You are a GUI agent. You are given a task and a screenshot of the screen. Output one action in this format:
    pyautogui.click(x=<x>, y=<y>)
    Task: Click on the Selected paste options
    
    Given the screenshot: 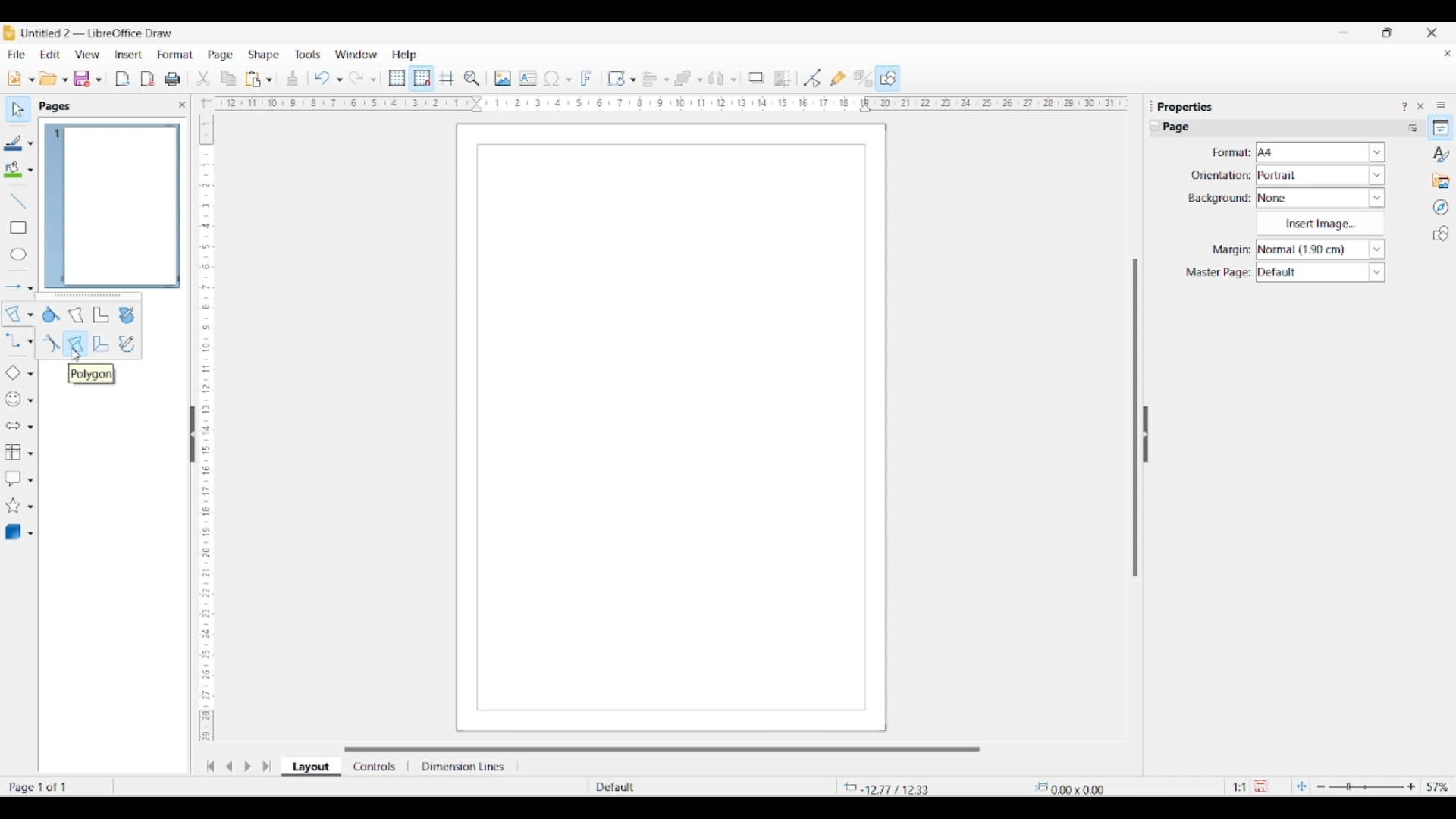 What is the action you would take?
    pyautogui.click(x=253, y=79)
    